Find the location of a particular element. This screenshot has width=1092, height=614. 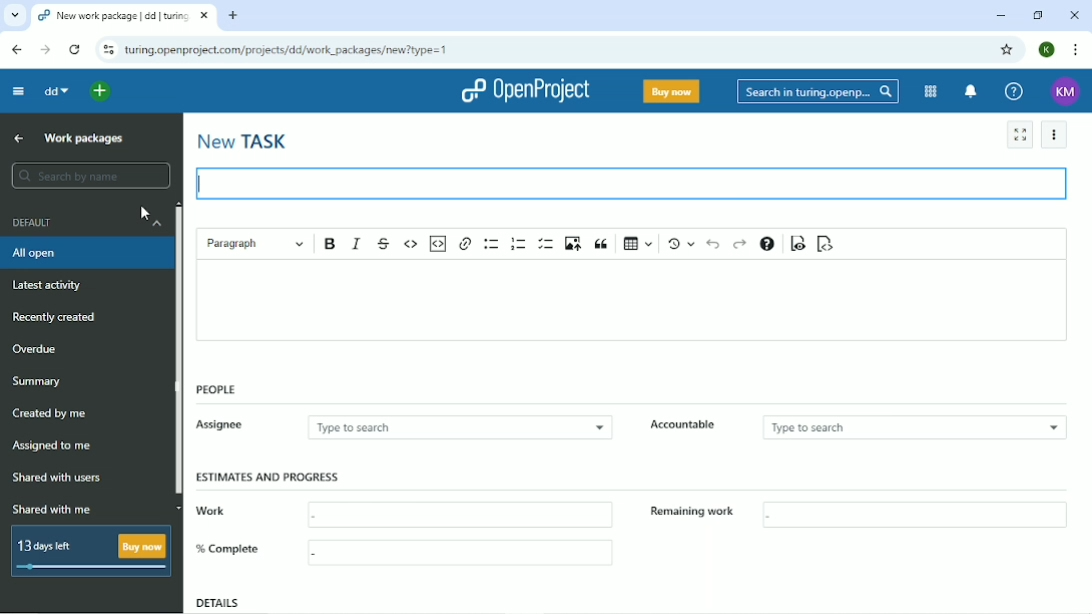

13 days left Buy now is located at coordinates (89, 551).